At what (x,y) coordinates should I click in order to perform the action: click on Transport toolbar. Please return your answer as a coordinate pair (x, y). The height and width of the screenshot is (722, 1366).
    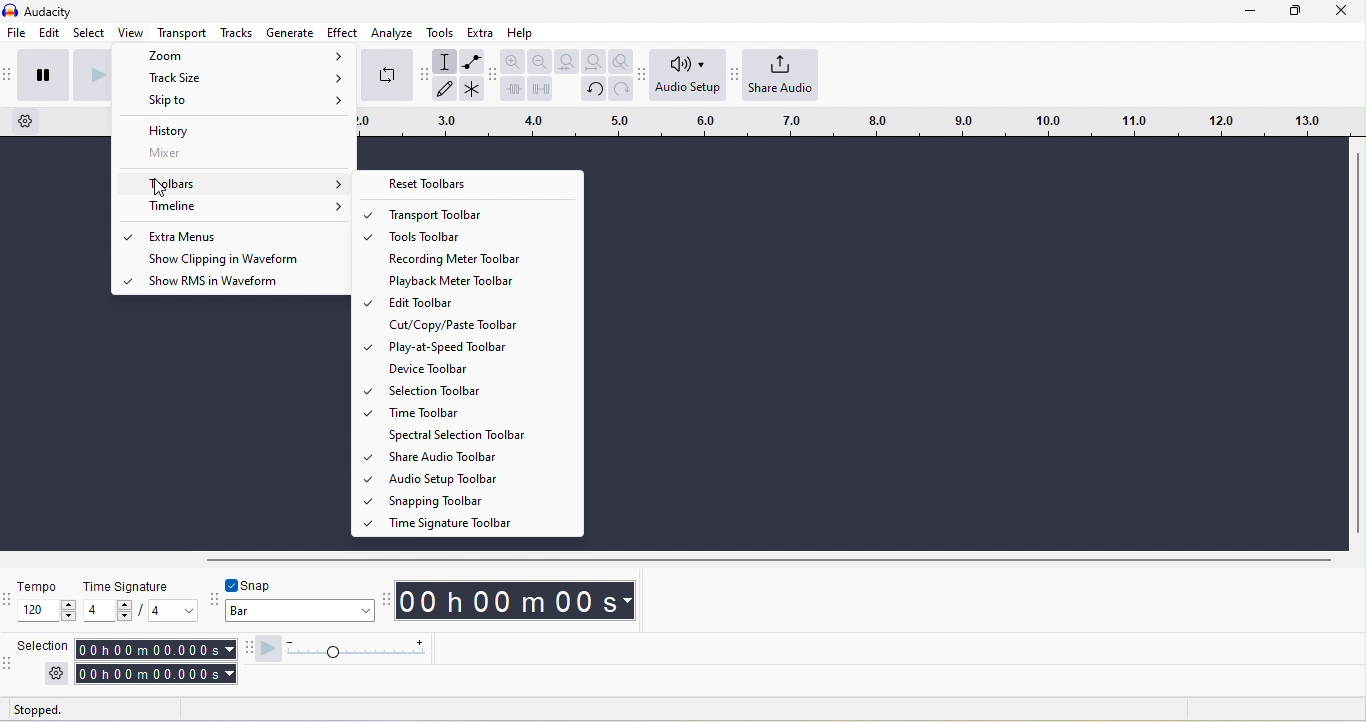
    Looking at the image, I should click on (481, 214).